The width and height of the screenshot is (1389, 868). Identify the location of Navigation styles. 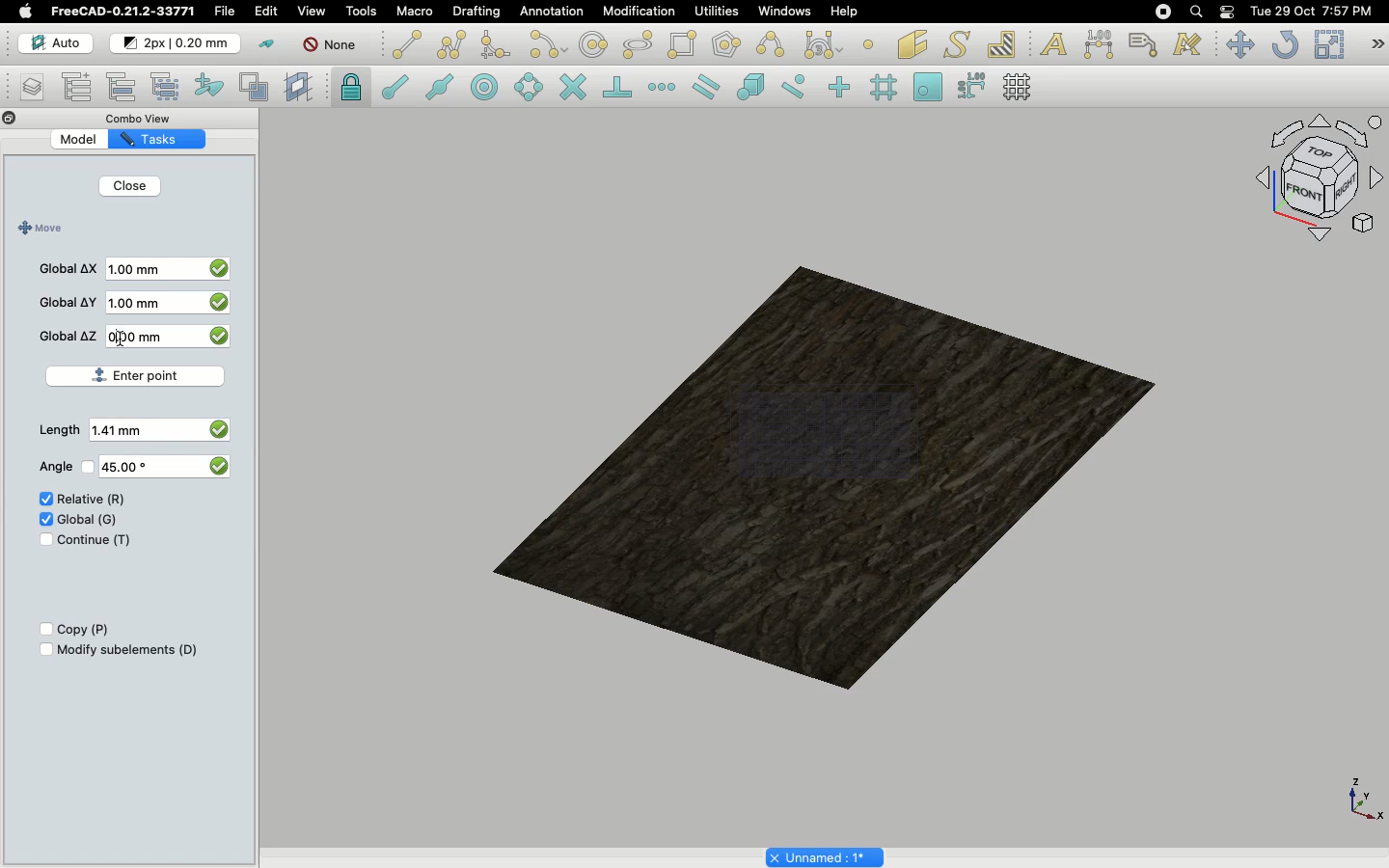
(1318, 181).